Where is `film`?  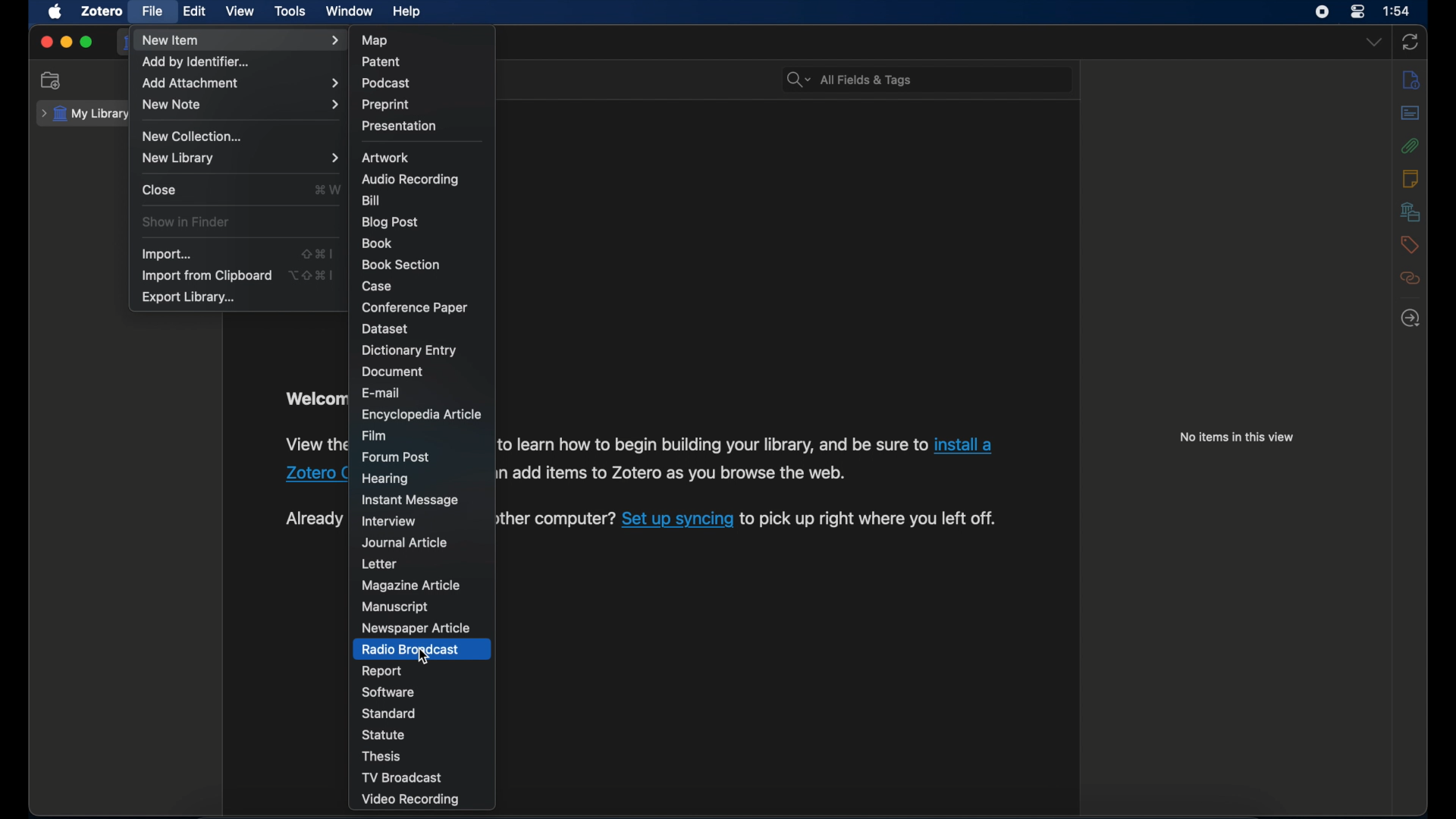
film is located at coordinates (373, 435).